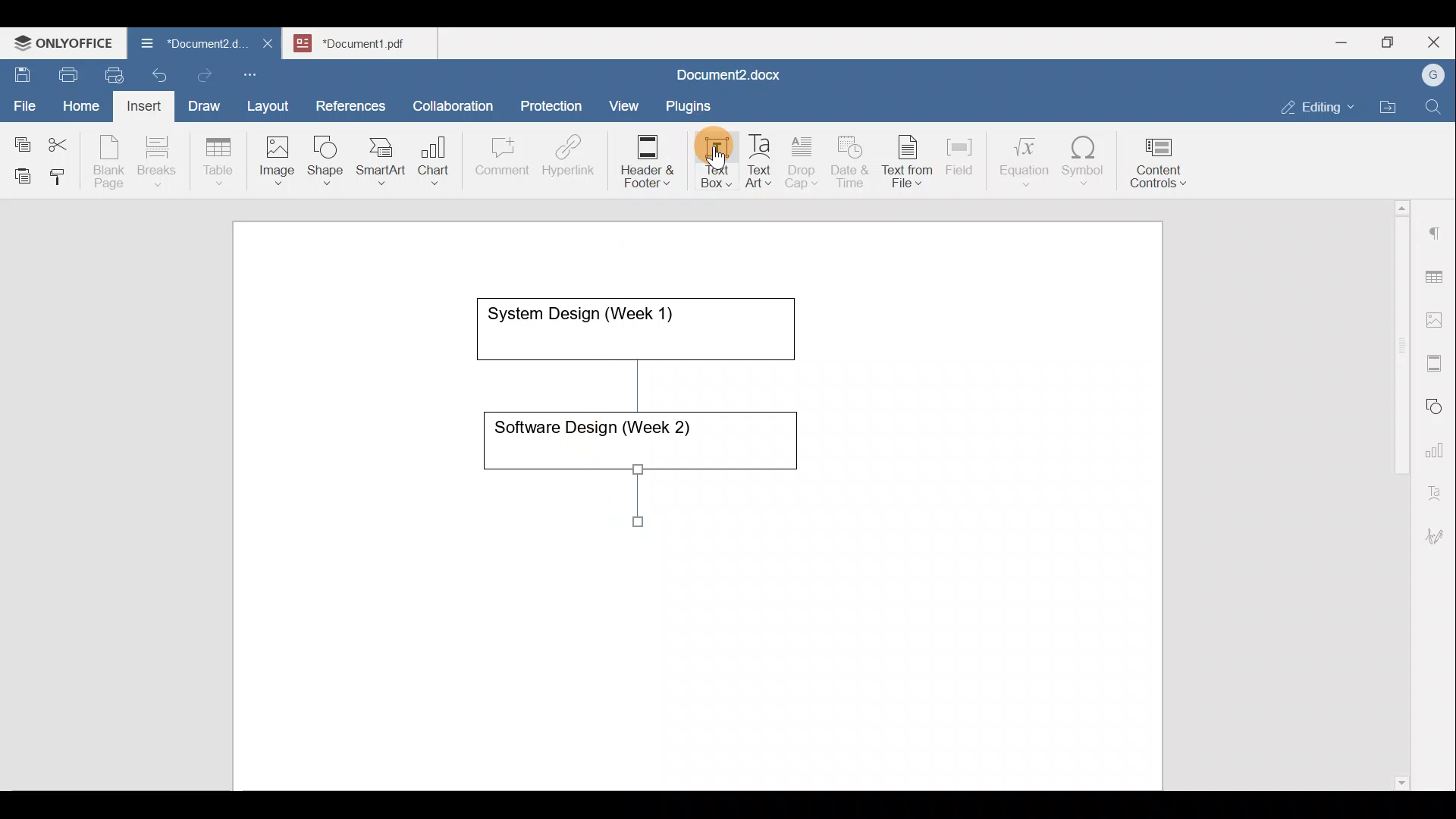  I want to click on Minimize, so click(1341, 41).